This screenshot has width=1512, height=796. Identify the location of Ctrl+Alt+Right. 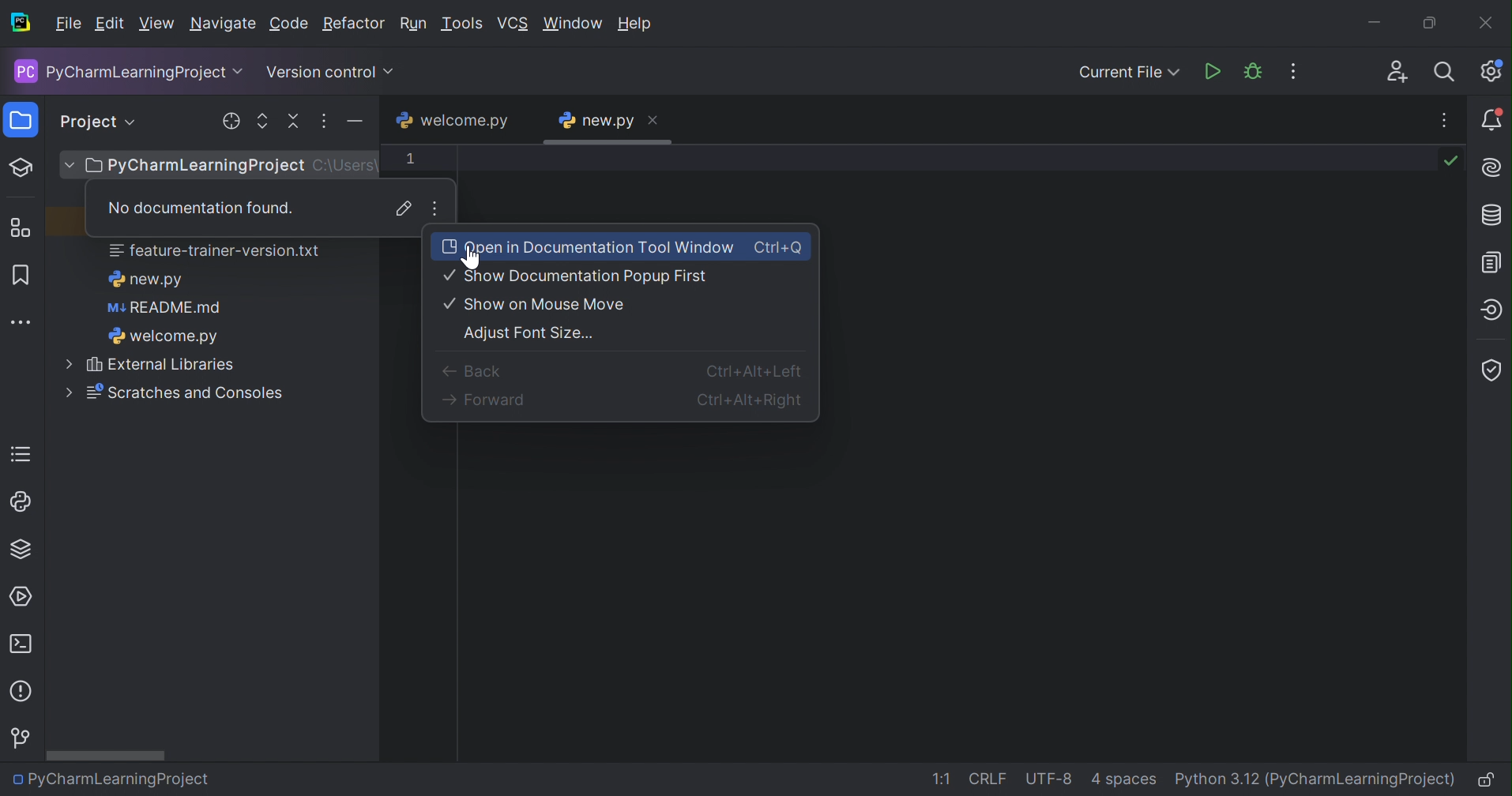
(747, 403).